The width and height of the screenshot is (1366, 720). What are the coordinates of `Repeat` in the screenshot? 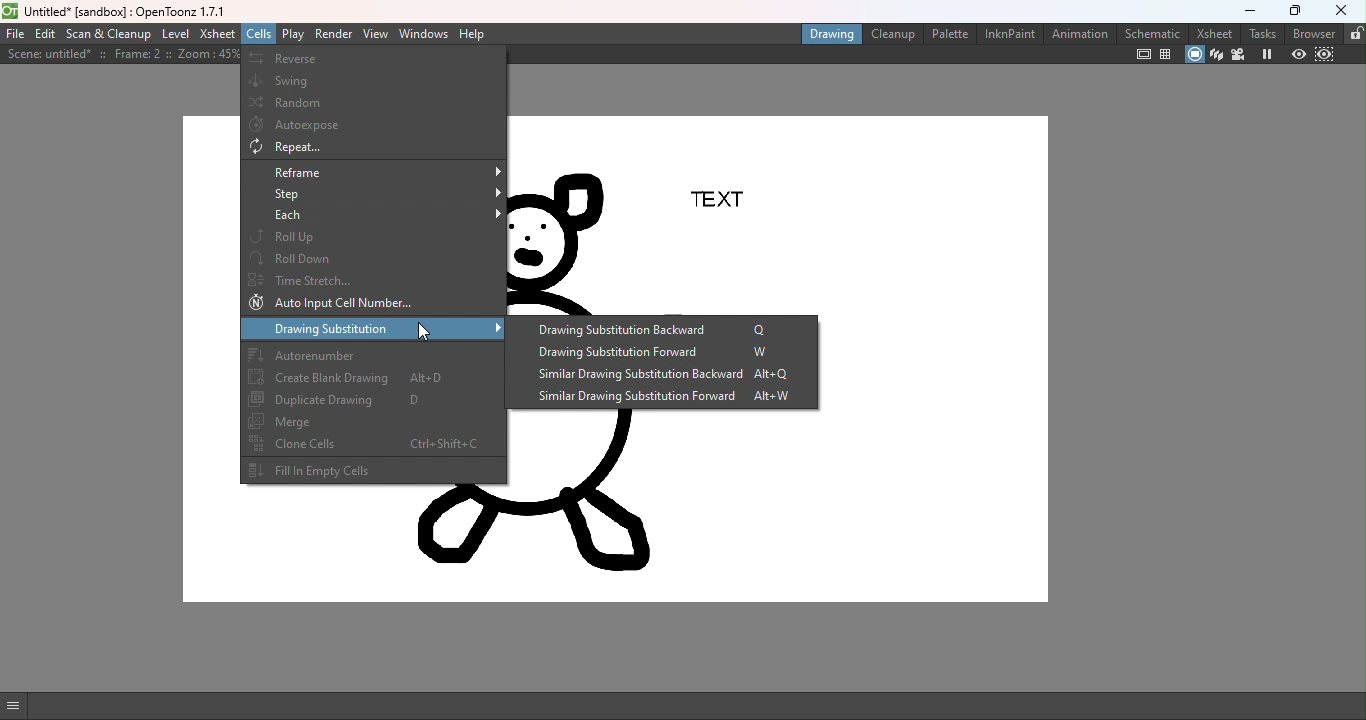 It's located at (379, 149).